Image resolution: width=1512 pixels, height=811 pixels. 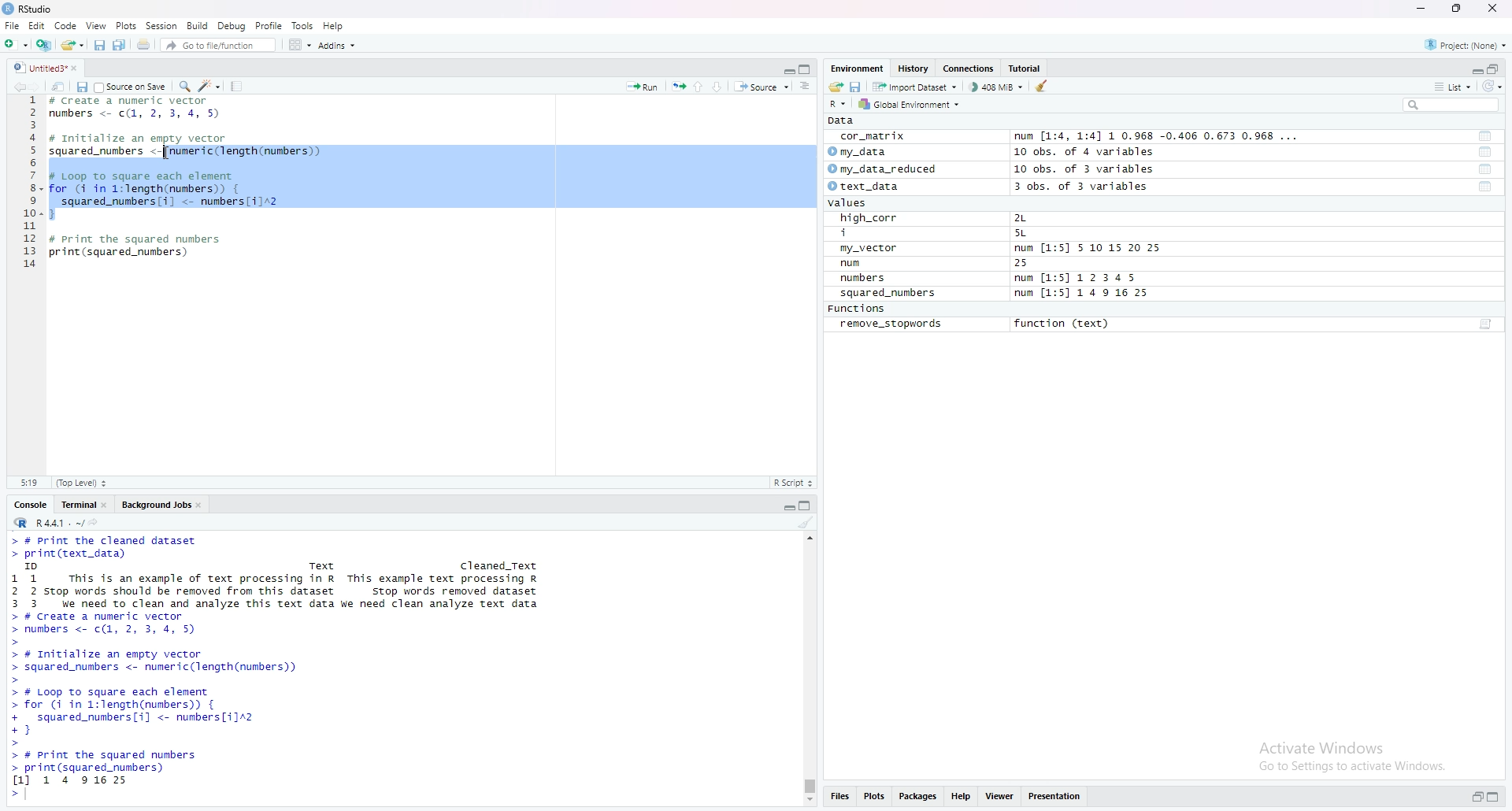 What do you see at coordinates (718, 86) in the screenshot?
I see `down` at bounding box center [718, 86].